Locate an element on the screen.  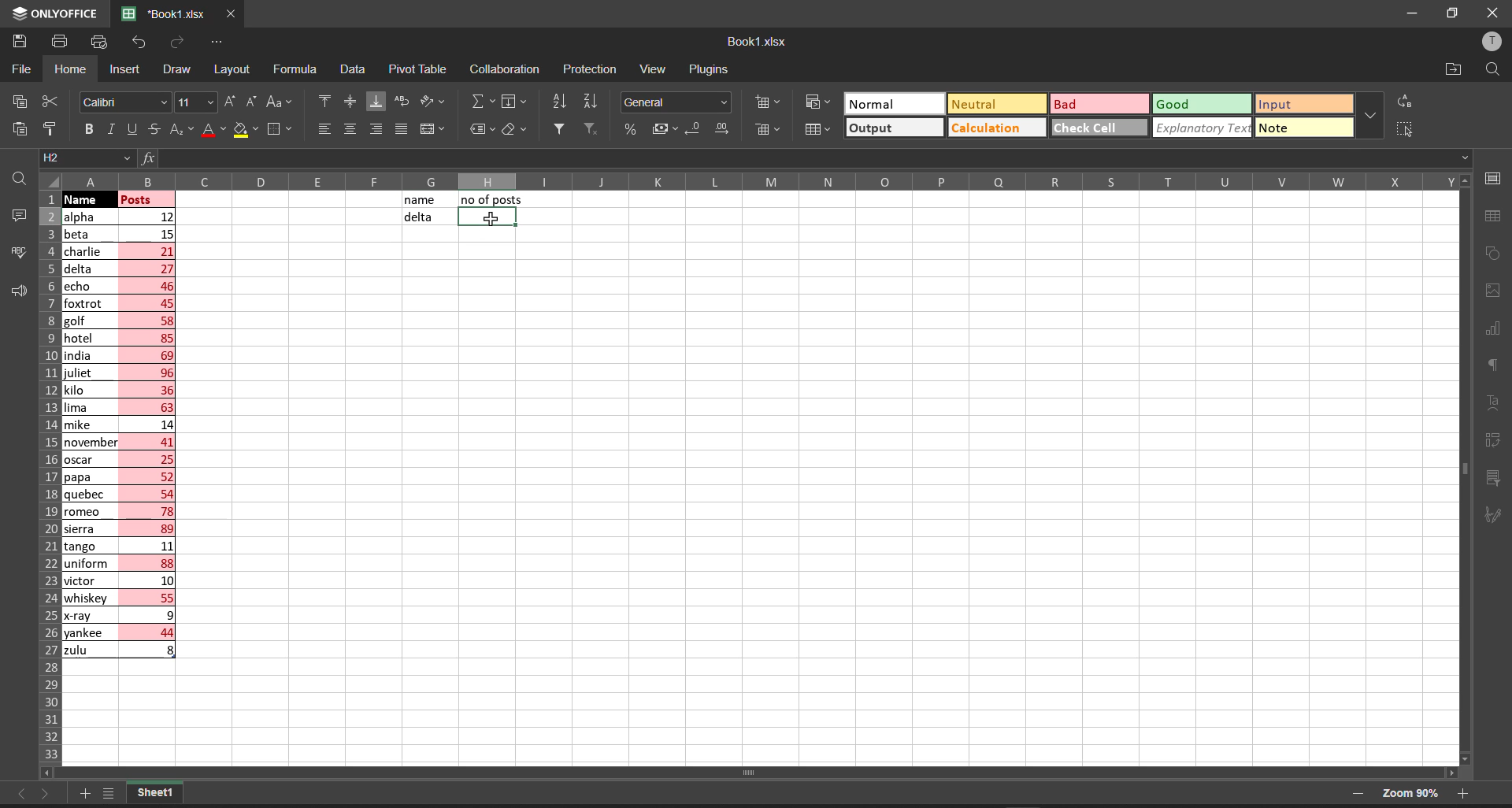
align right is located at coordinates (372, 128).